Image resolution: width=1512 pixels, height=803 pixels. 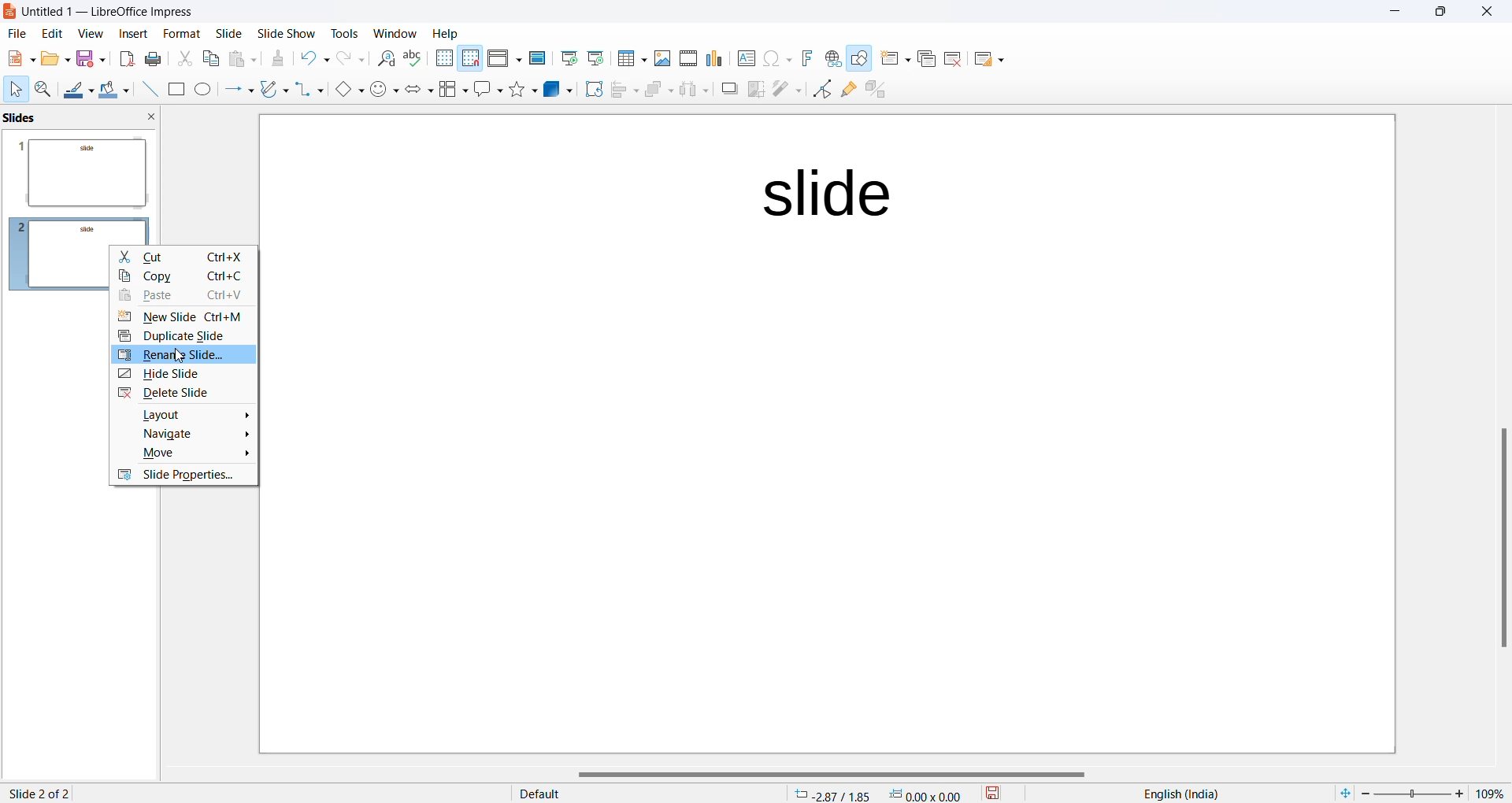 I want to click on crop image, so click(x=754, y=90).